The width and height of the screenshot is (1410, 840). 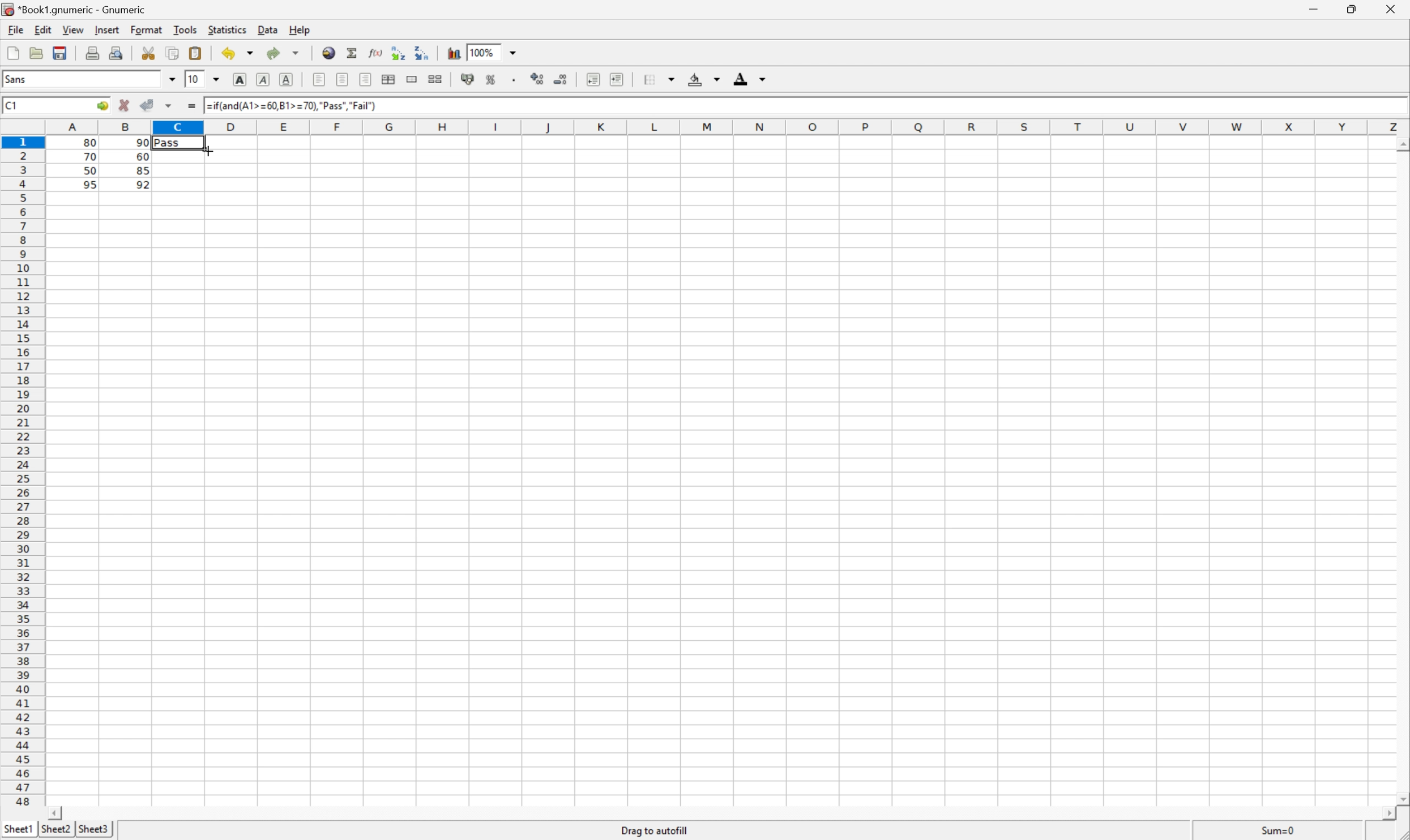 What do you see at coordinates (1353, 7) in the screenshot?
I see `Restore Down` at bounding box center [1353, 7].